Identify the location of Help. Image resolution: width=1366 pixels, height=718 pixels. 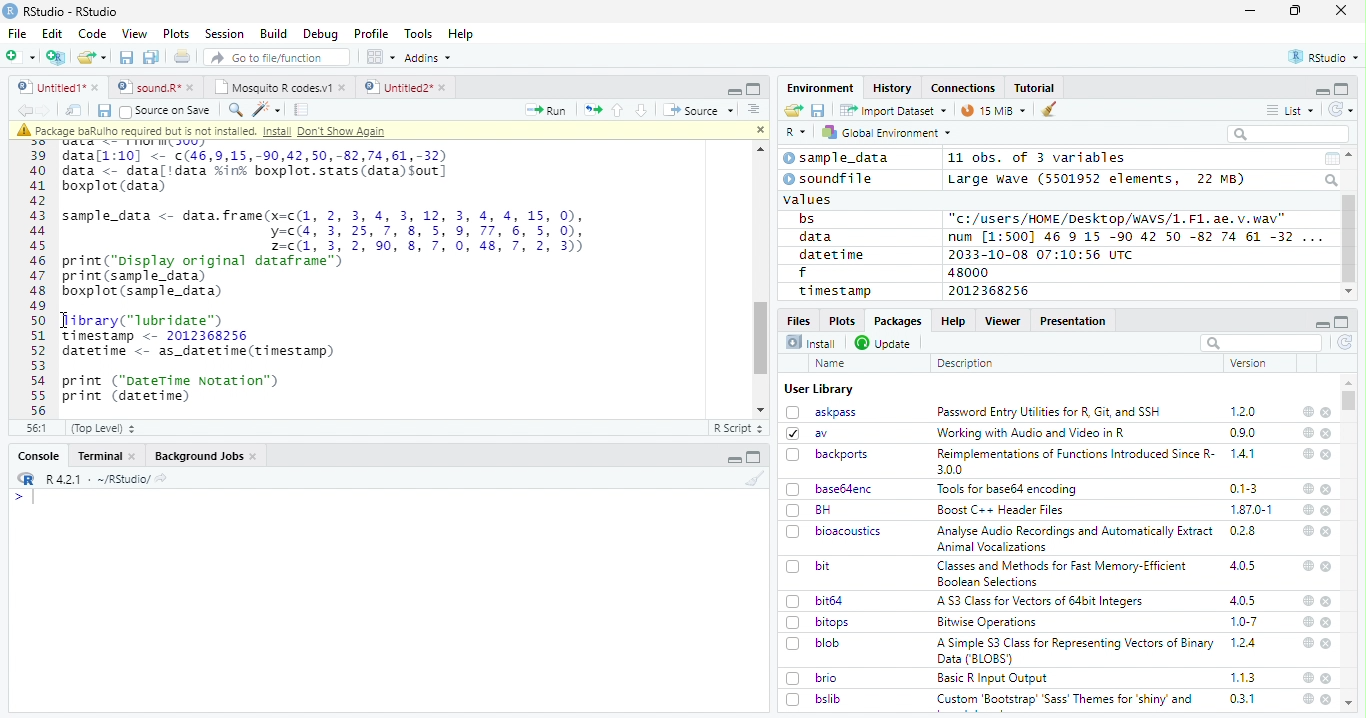
(461, 35).